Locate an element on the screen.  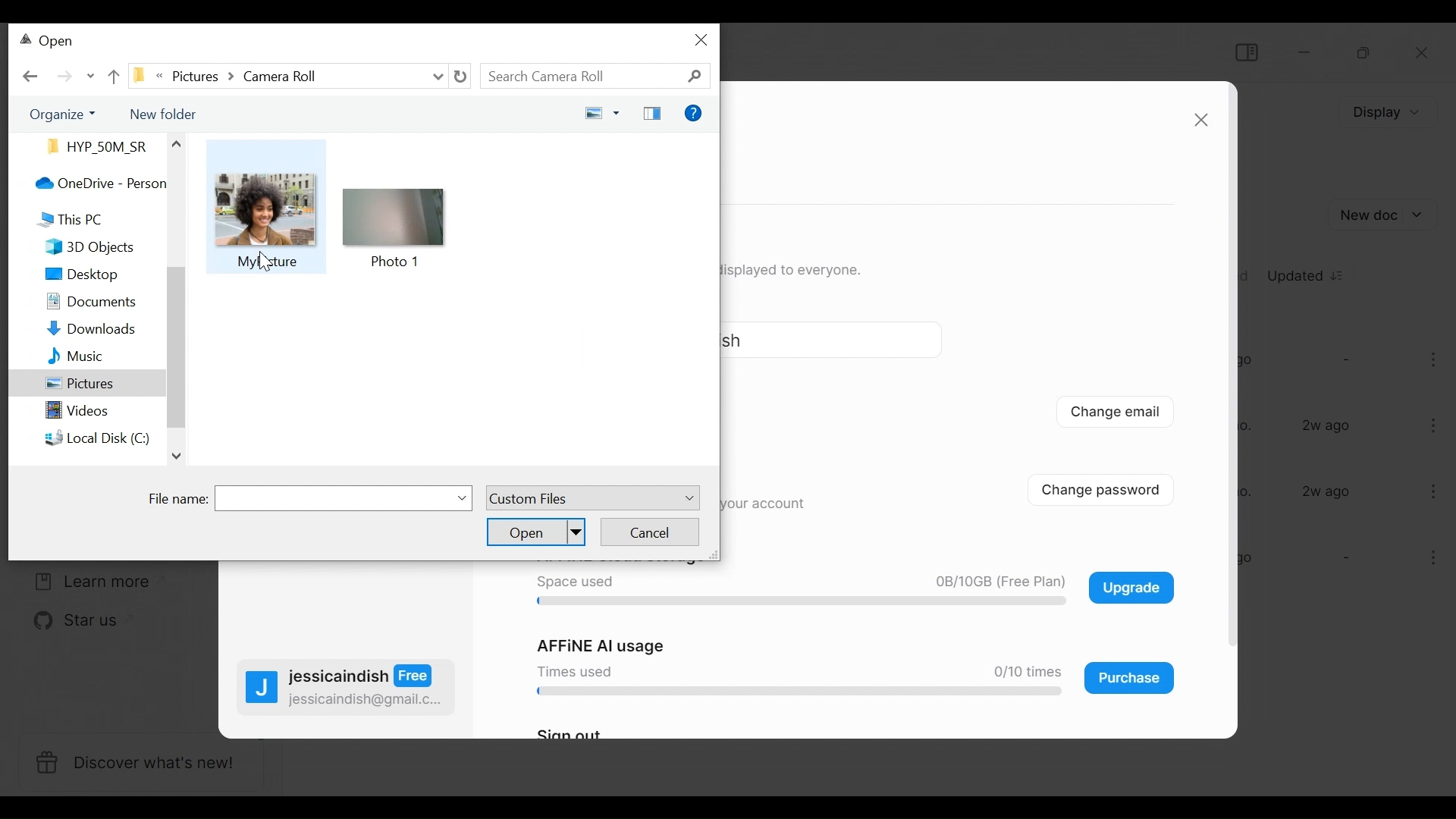
Parent is located at coordinates (112, 75).